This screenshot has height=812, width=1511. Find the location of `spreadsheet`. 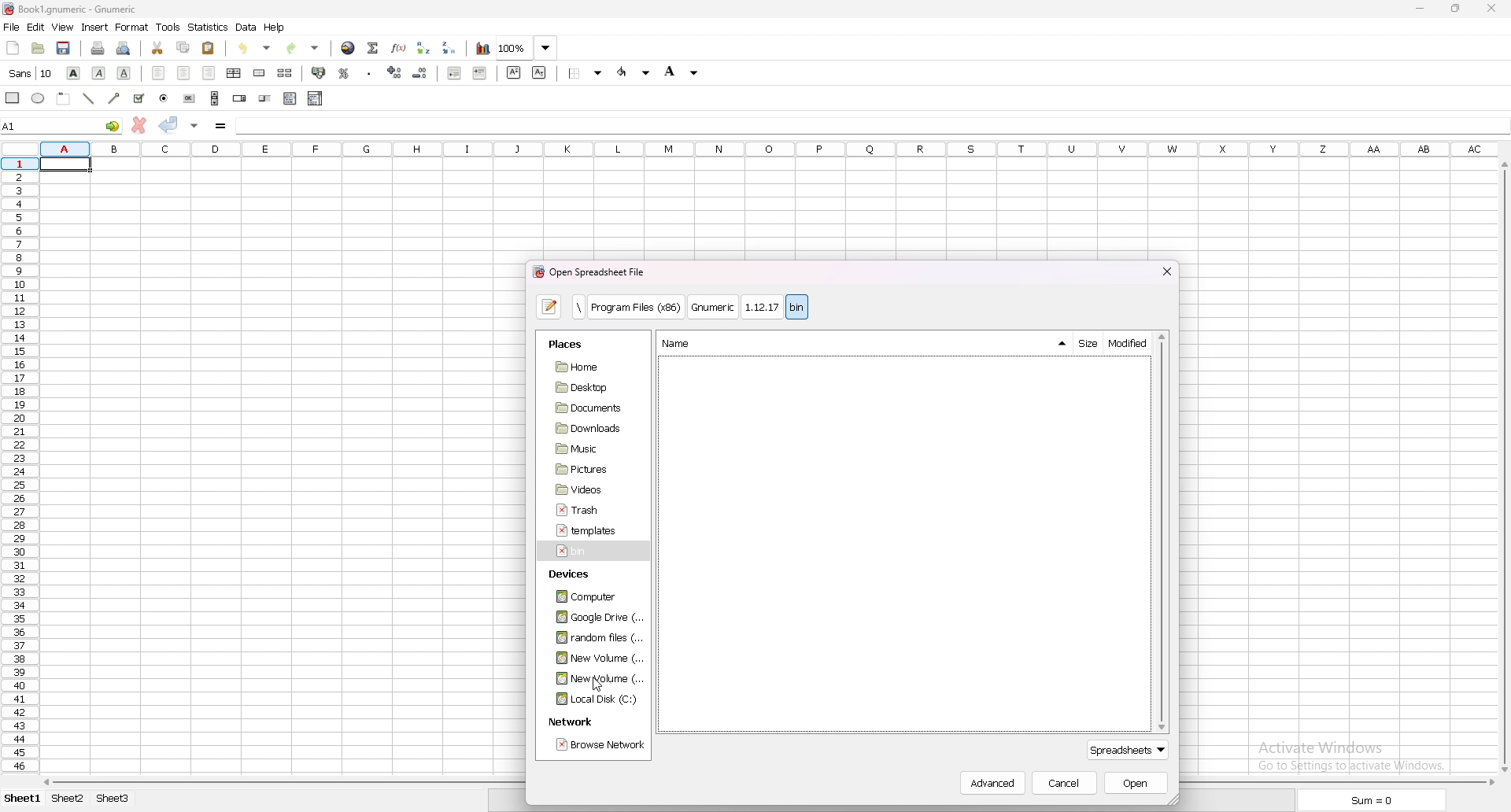

spreadsheet is located at coordinates (1131, 751).